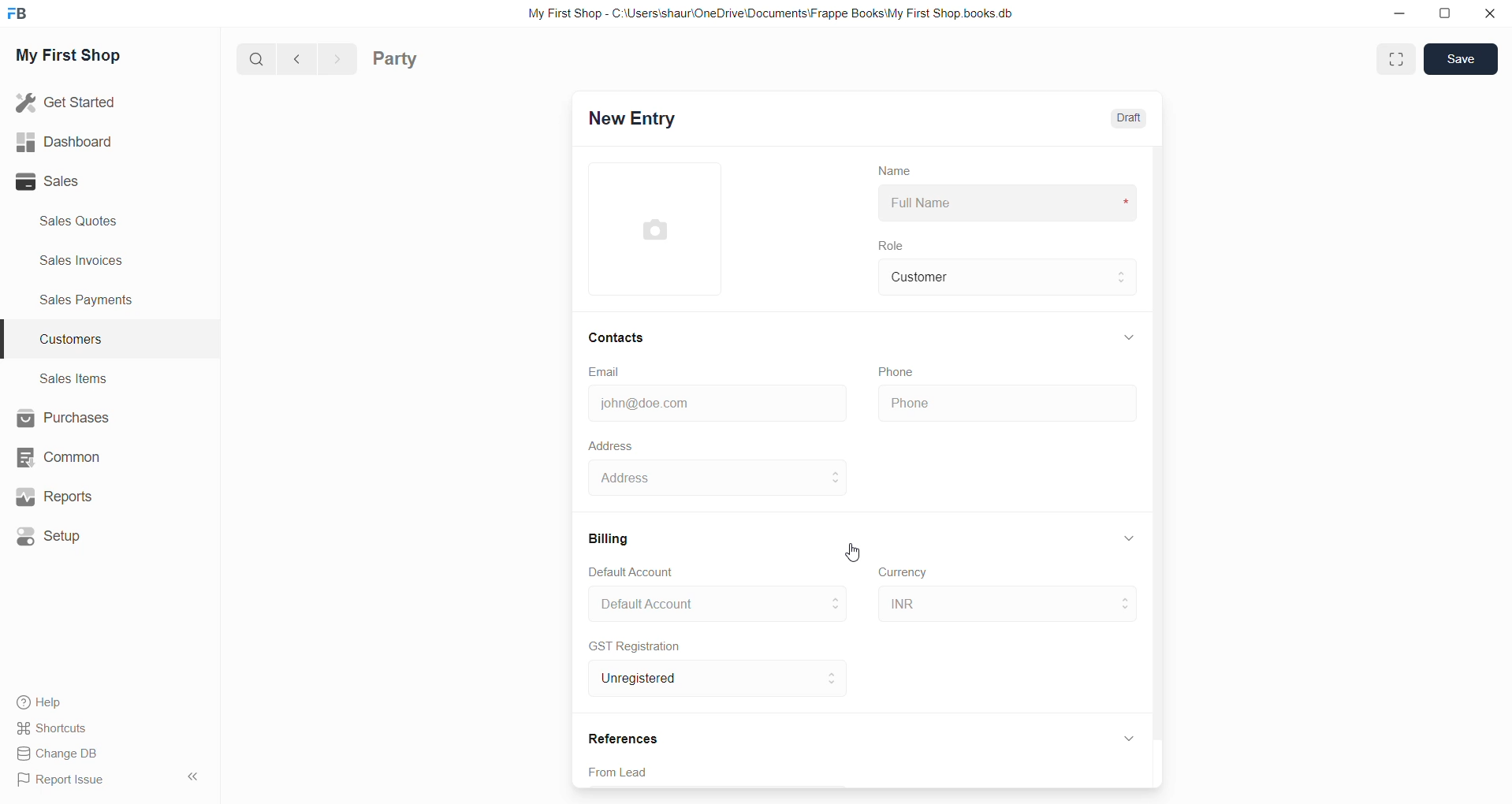  Describe the element at coordinates (37, 700) in the screenshot. I see `Help` at that location.